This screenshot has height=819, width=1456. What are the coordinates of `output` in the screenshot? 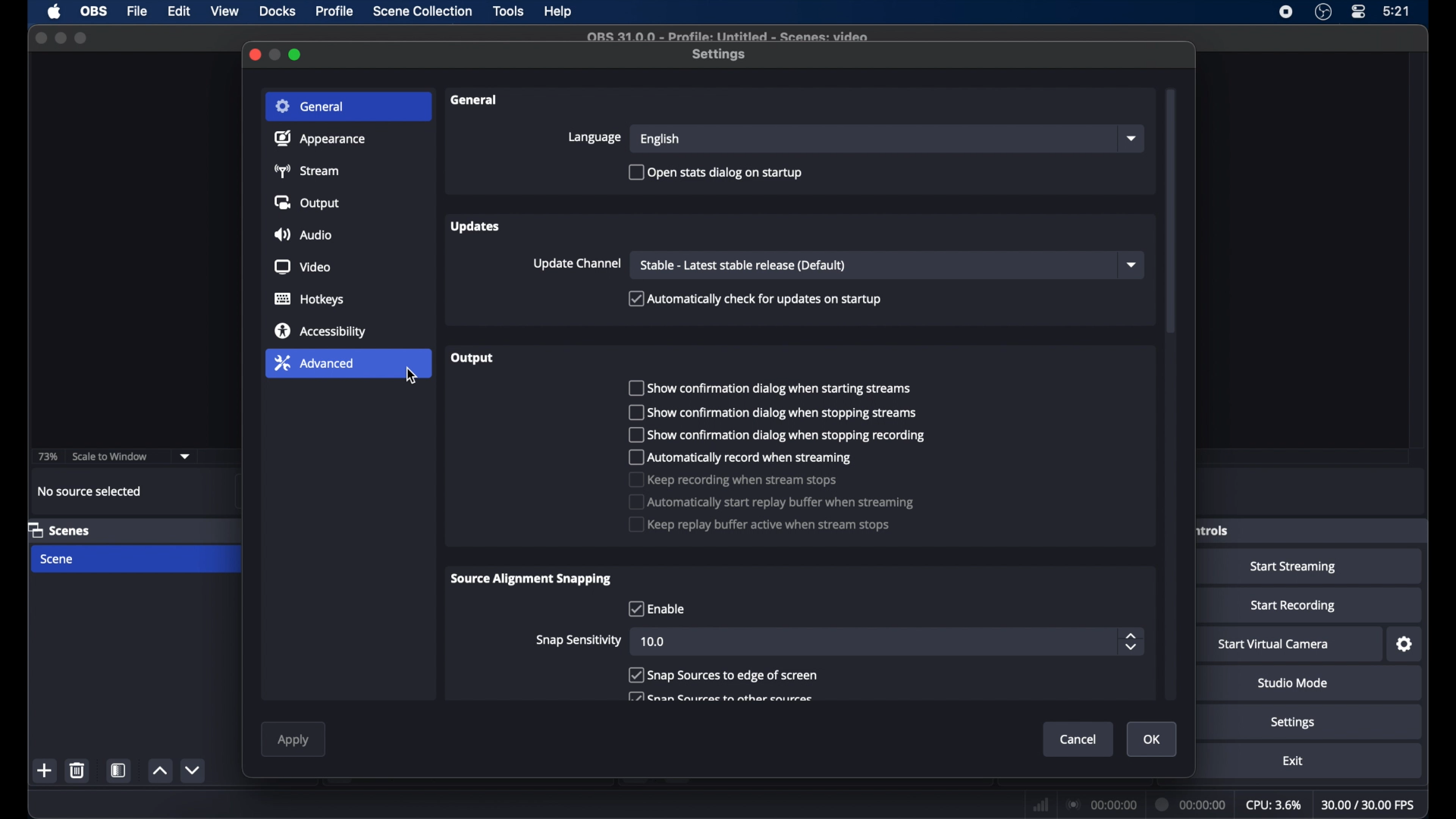 It's located at (473, 358).